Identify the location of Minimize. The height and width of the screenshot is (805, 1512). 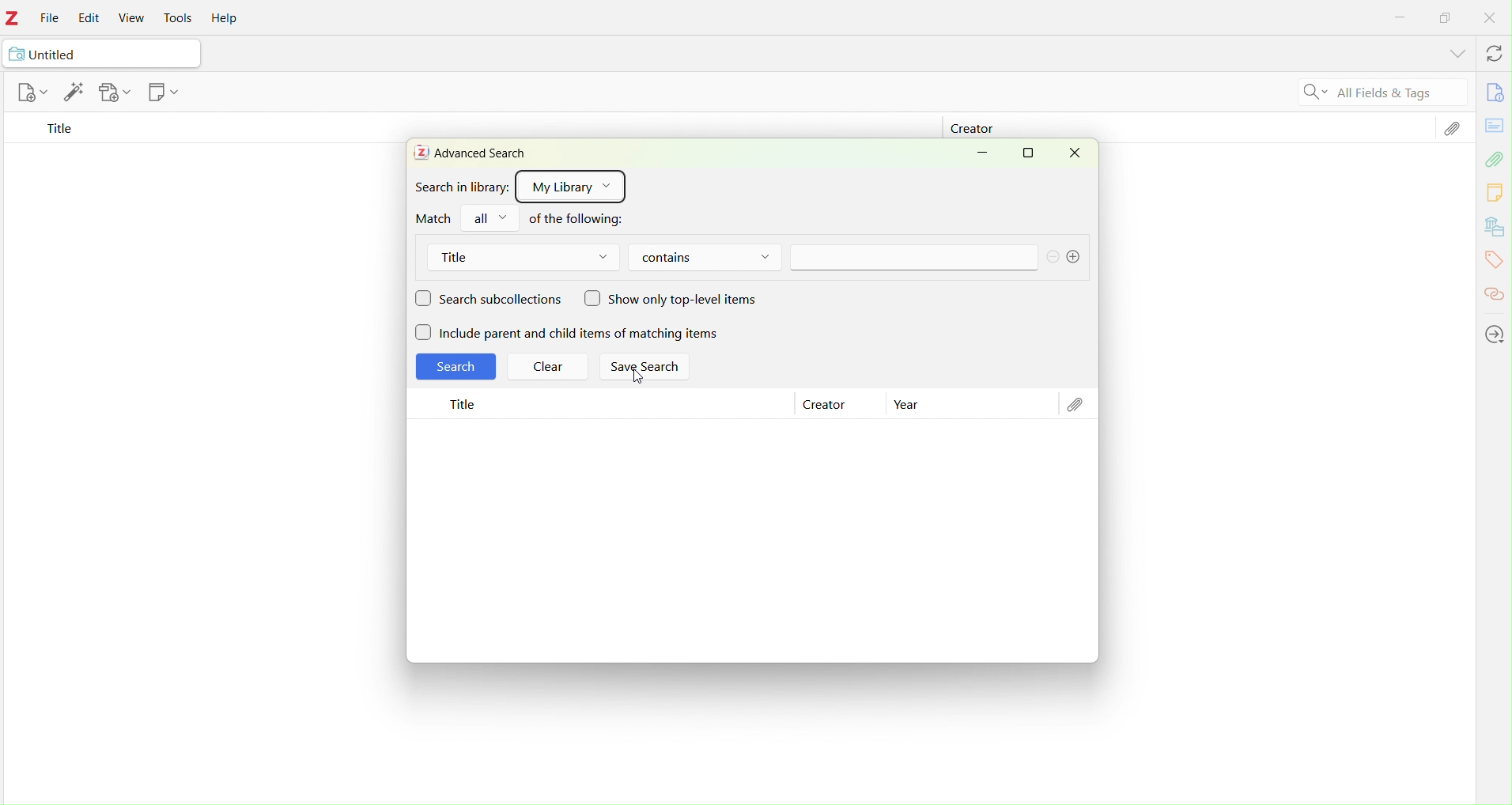
(1403, 19).